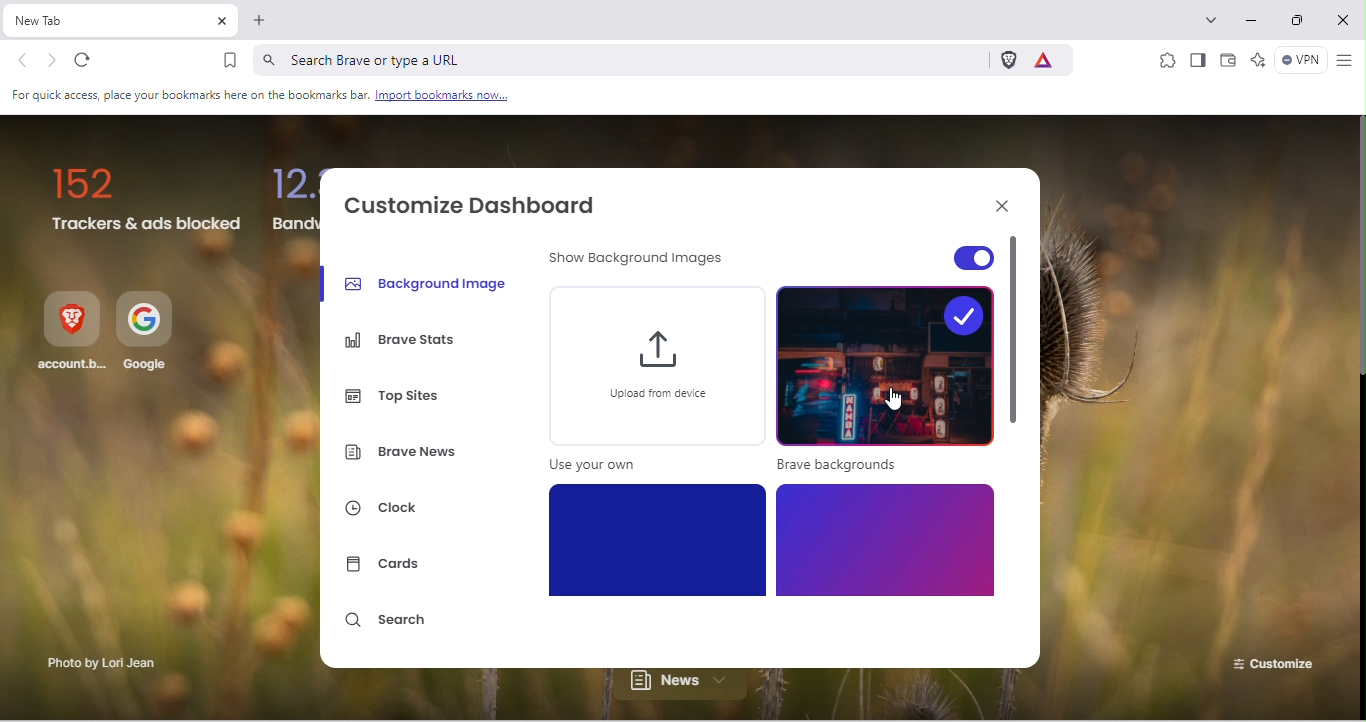 The height and width of the screenshot is (722, 1366). I want to click on Upload from device, so click(653, 384).